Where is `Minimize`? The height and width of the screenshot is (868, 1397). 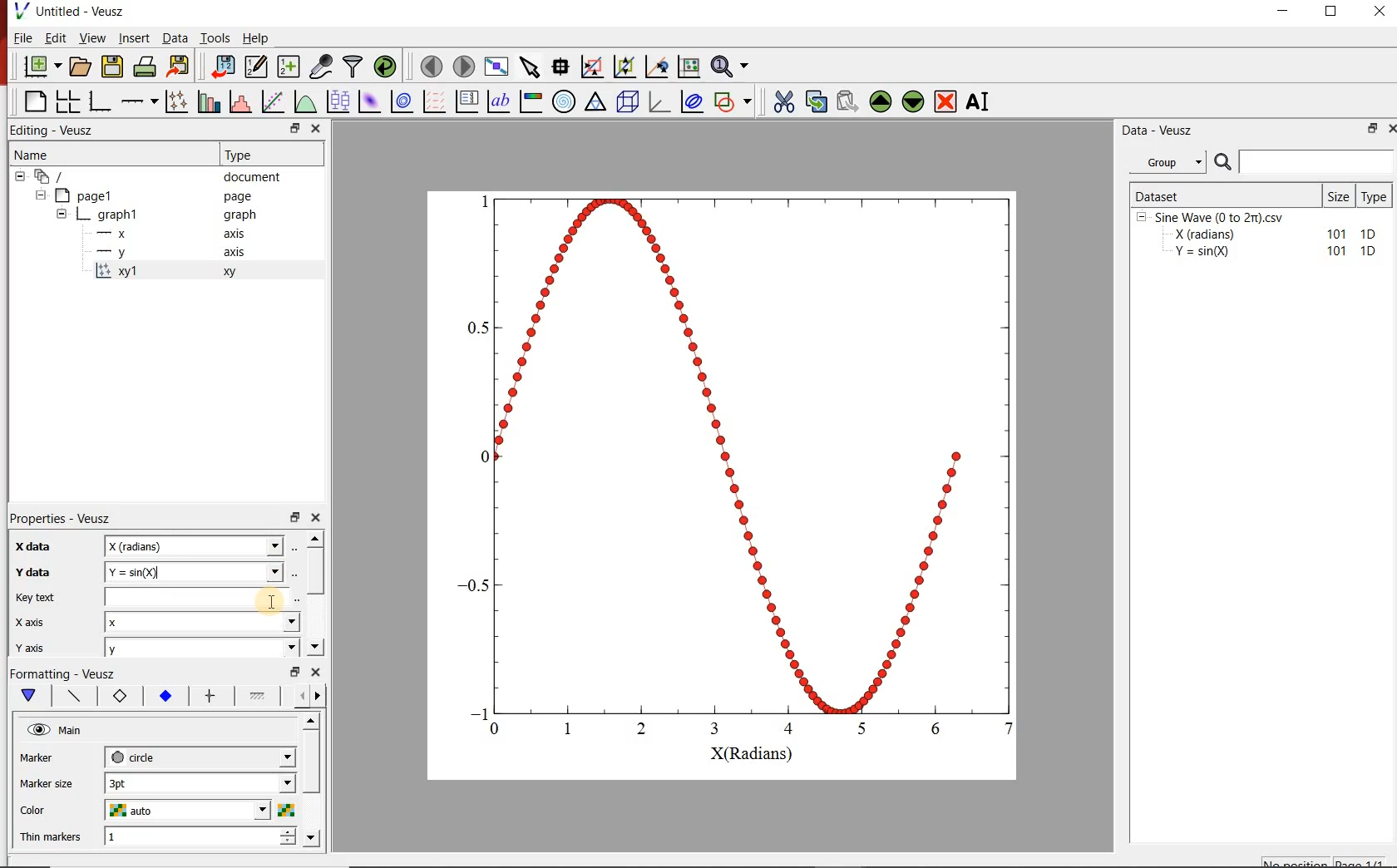 Minimize is located at coordinates (1282, 12).